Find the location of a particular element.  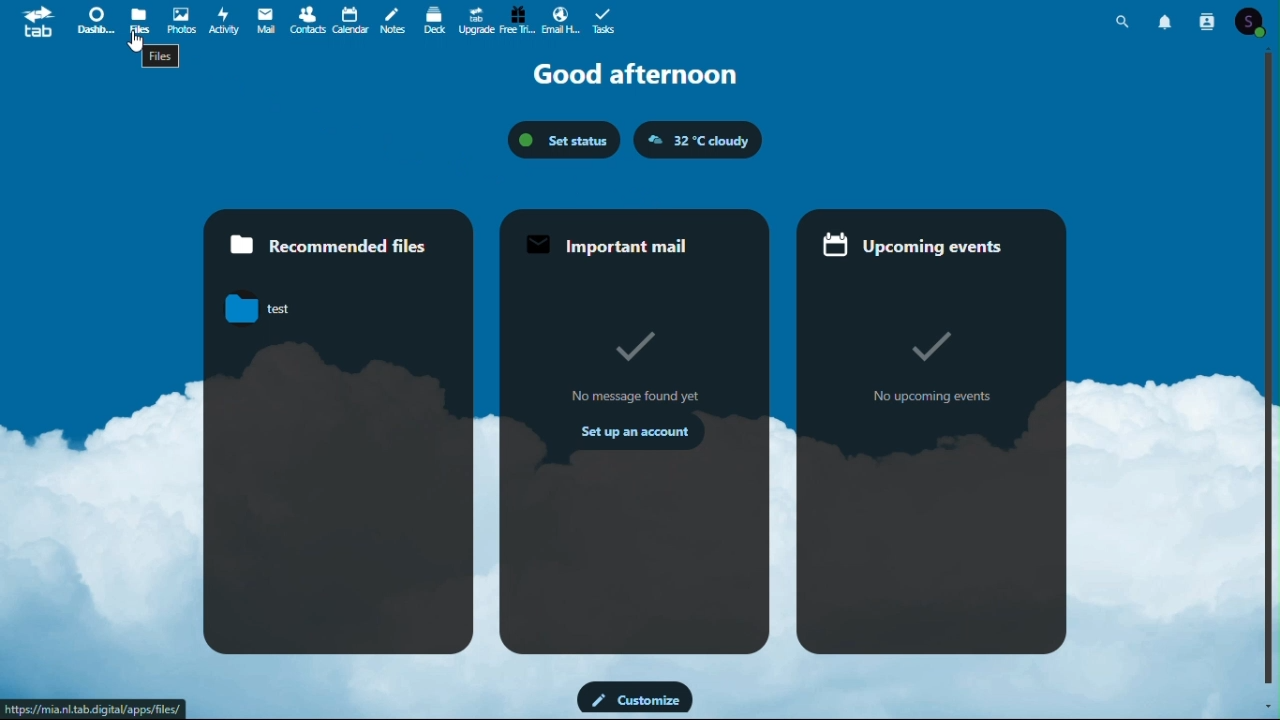

visuals is located at coordinates (620, 350).